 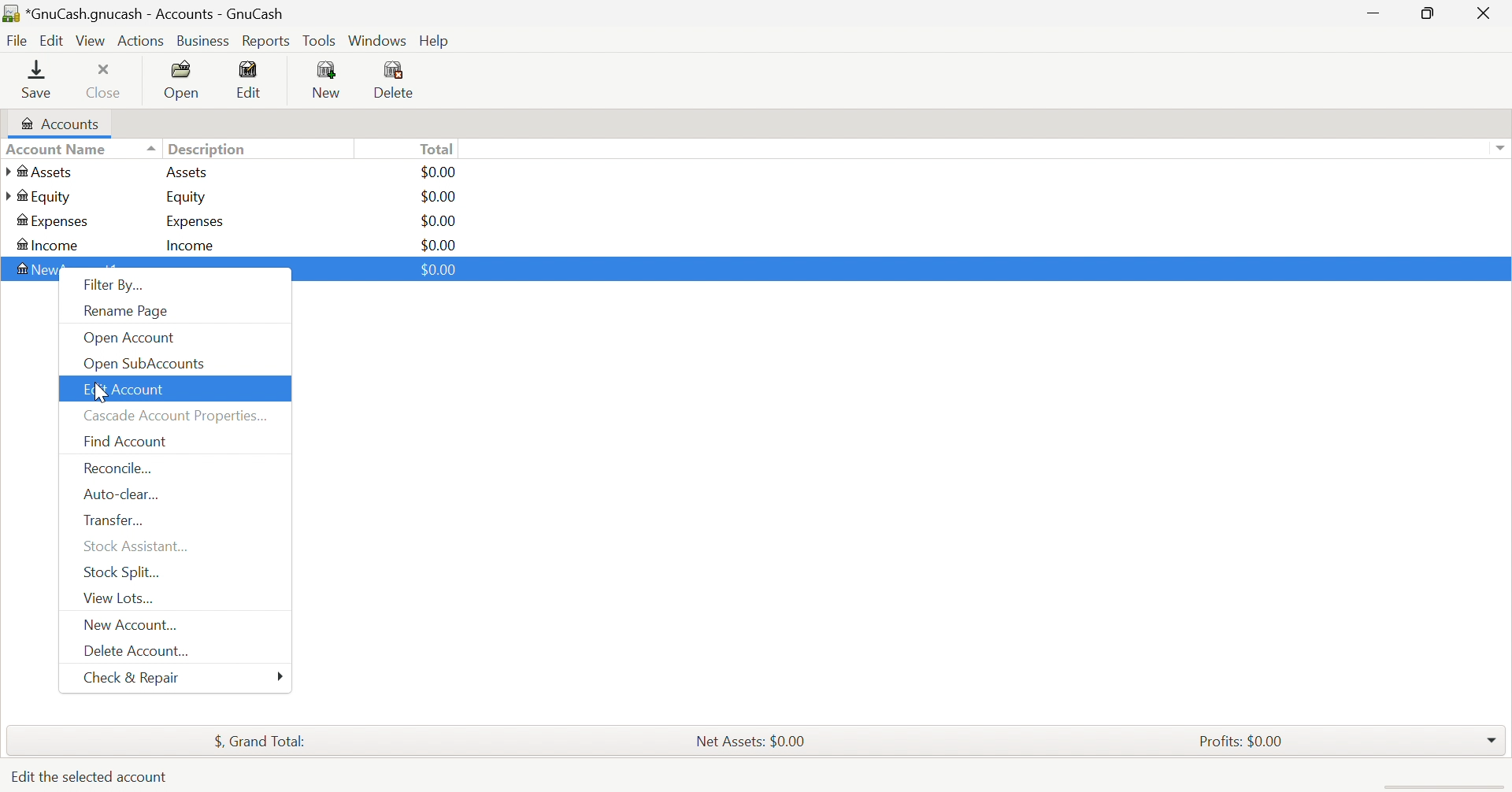 I want to click on $0.00, so click(x=440, y=220).